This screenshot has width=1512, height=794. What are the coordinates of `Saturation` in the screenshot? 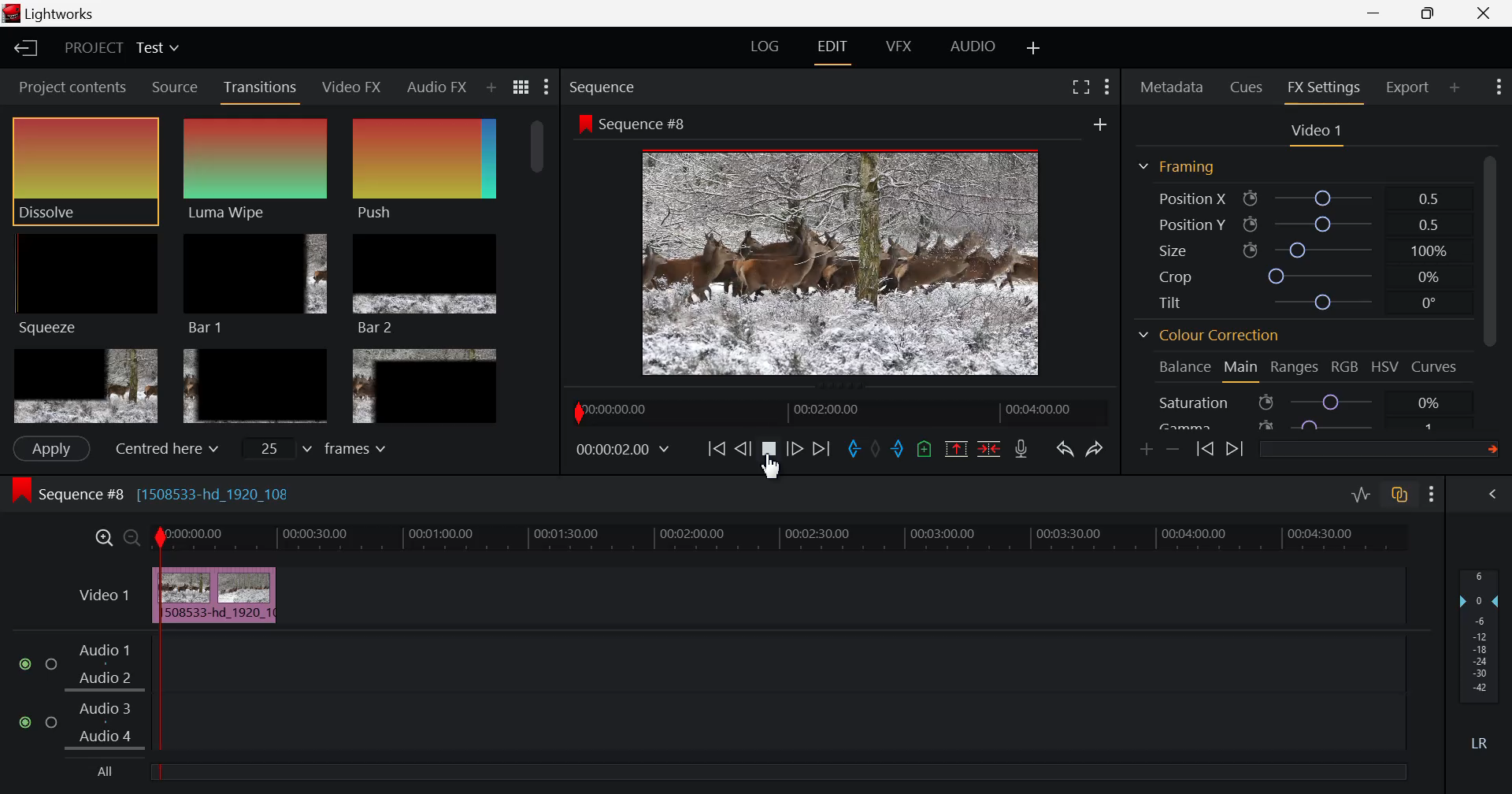 It's located at (1303, 402).